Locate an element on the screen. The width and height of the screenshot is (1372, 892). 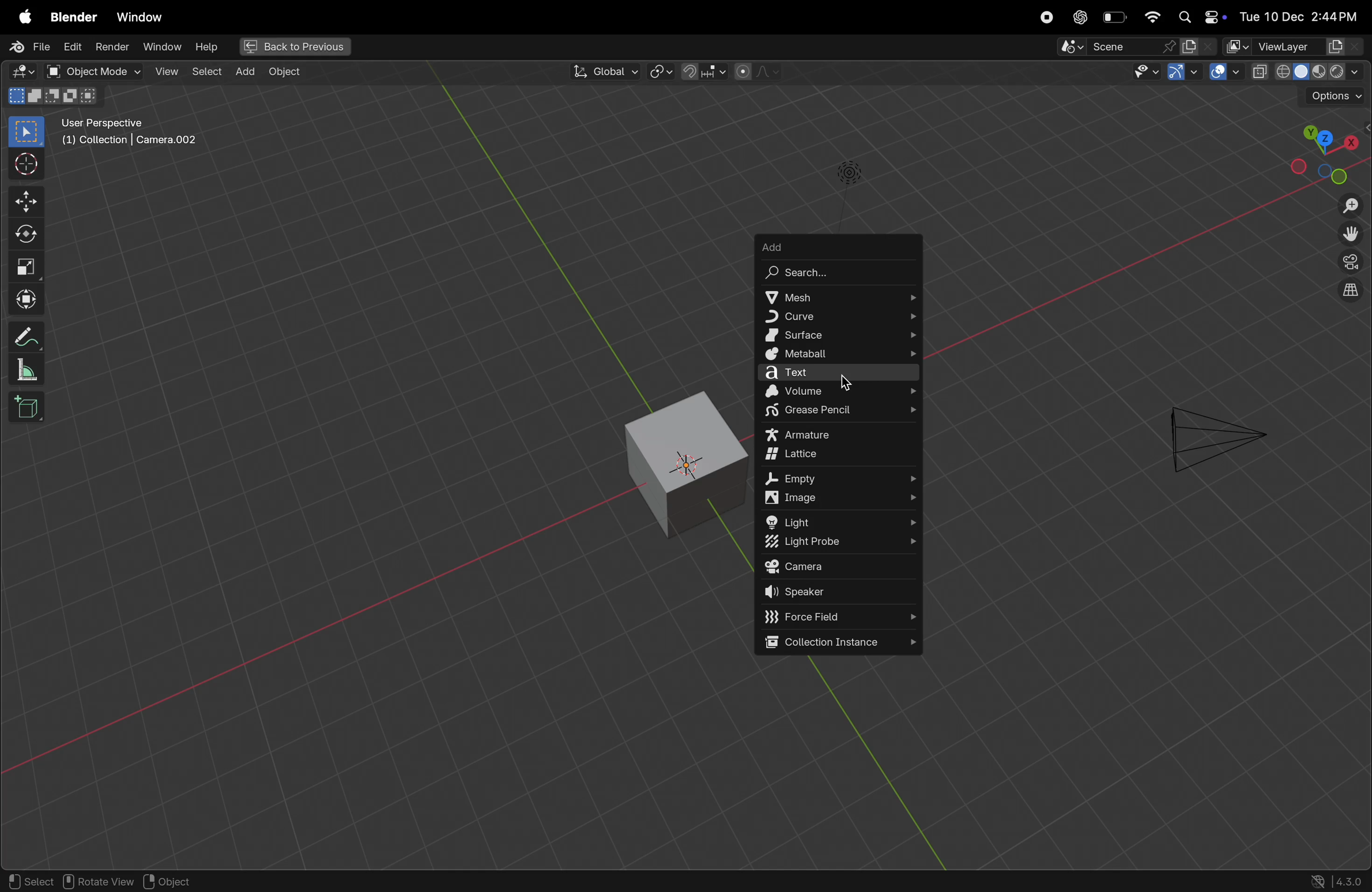
view is located at coordinates (166, 73).